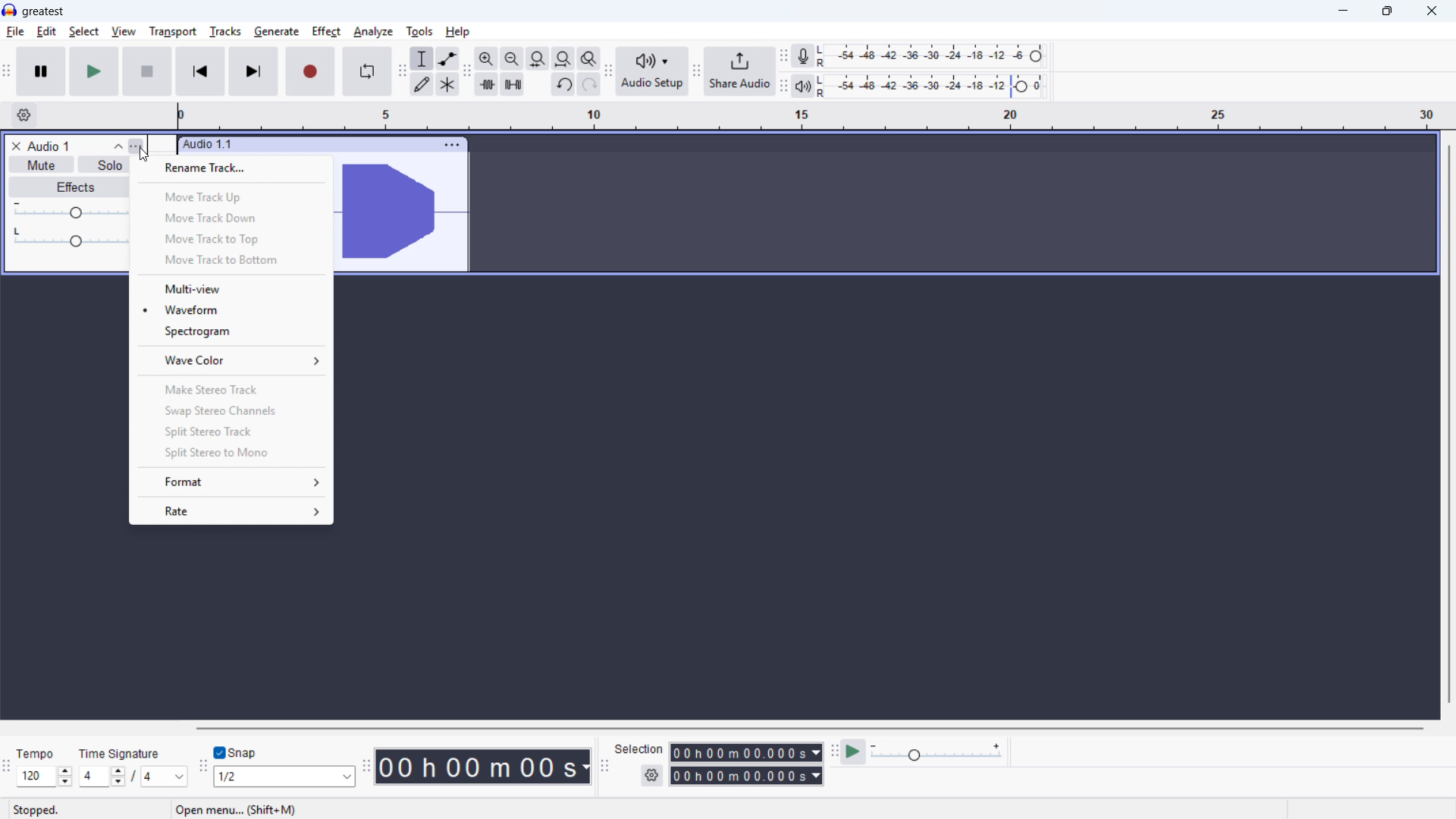 The width and height of the screenshot is (1456, 819). I want to click on share audio, so click(739, 71).